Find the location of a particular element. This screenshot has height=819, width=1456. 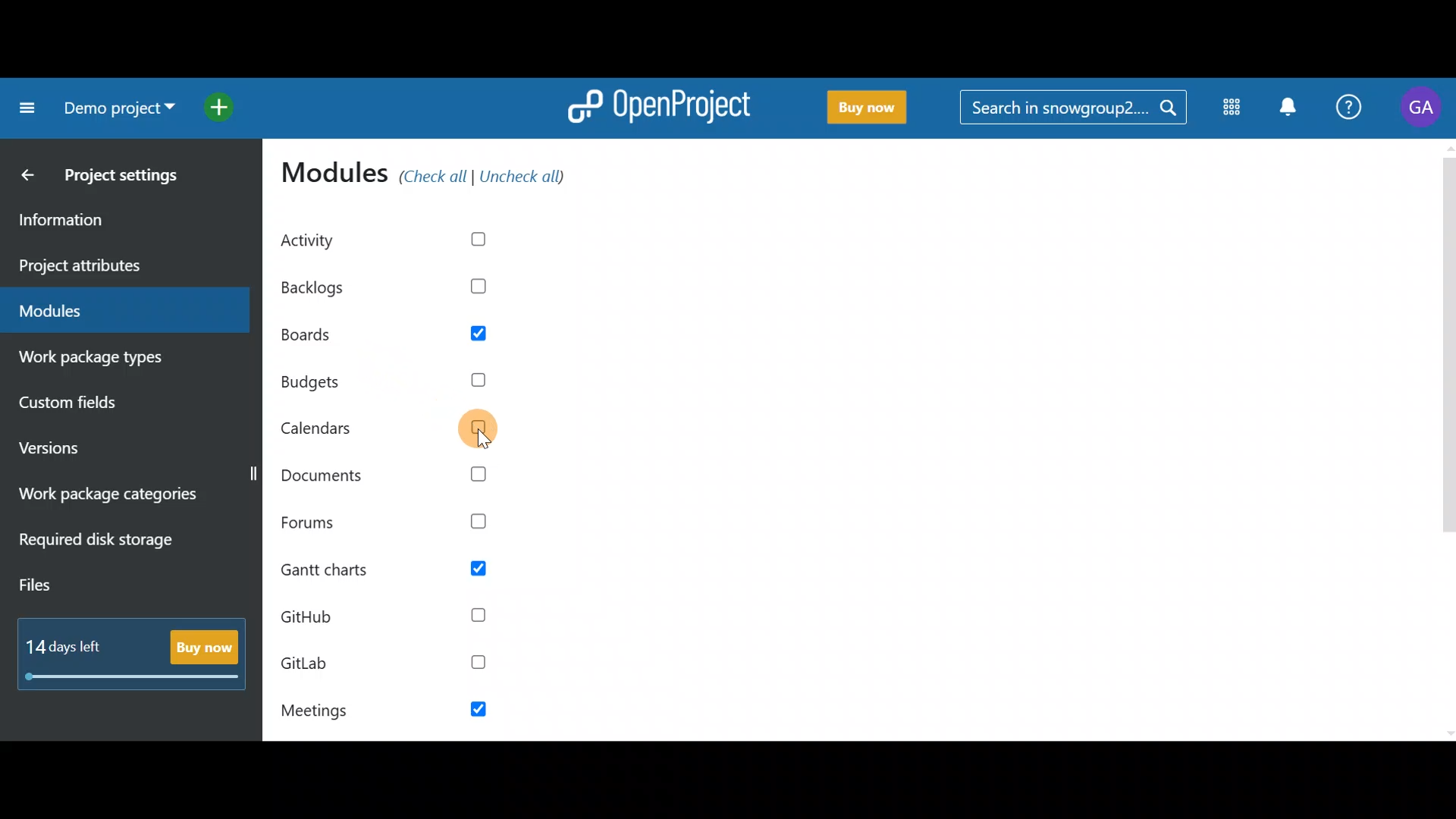

Budgets is located at coordinates (390, 384).